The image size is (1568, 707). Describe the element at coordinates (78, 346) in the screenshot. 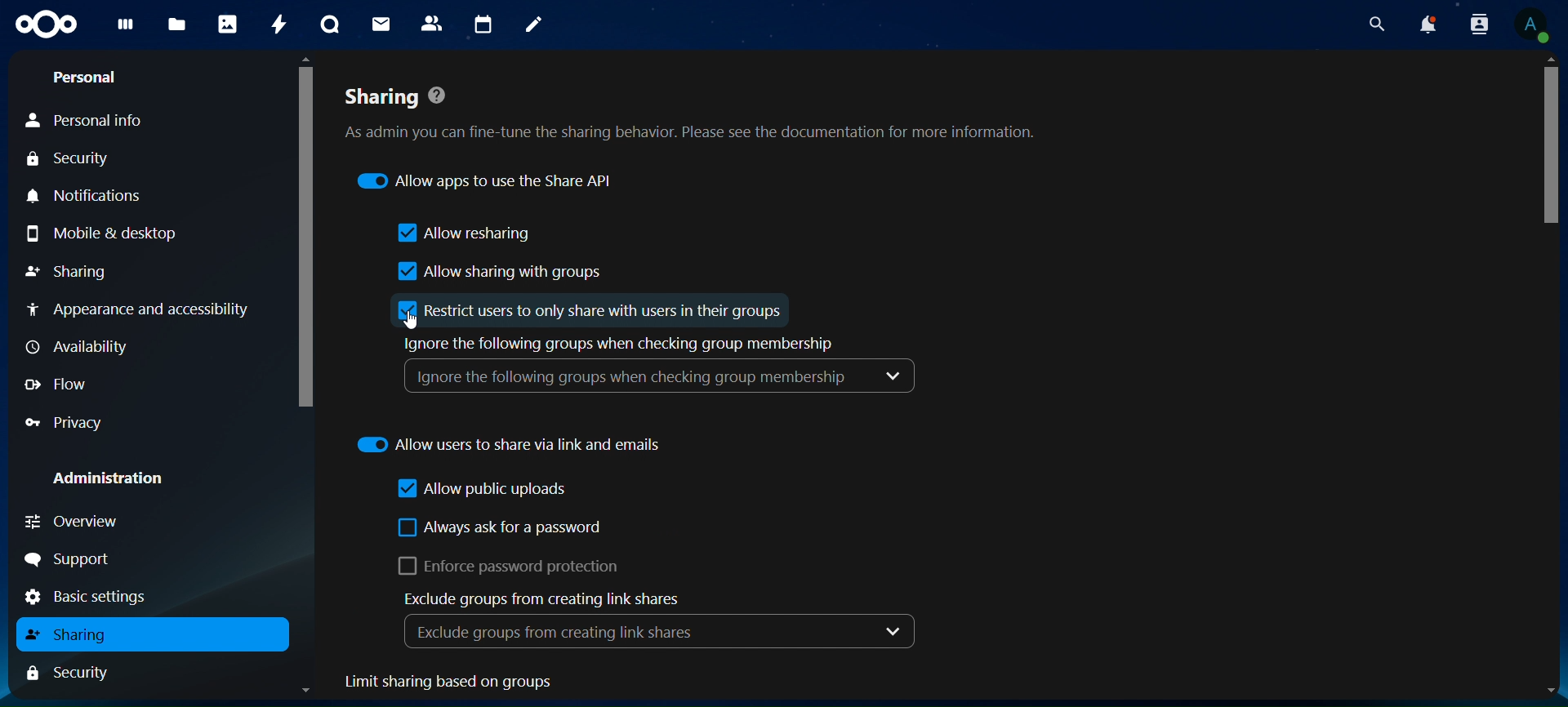

I see `availiability` at that location.